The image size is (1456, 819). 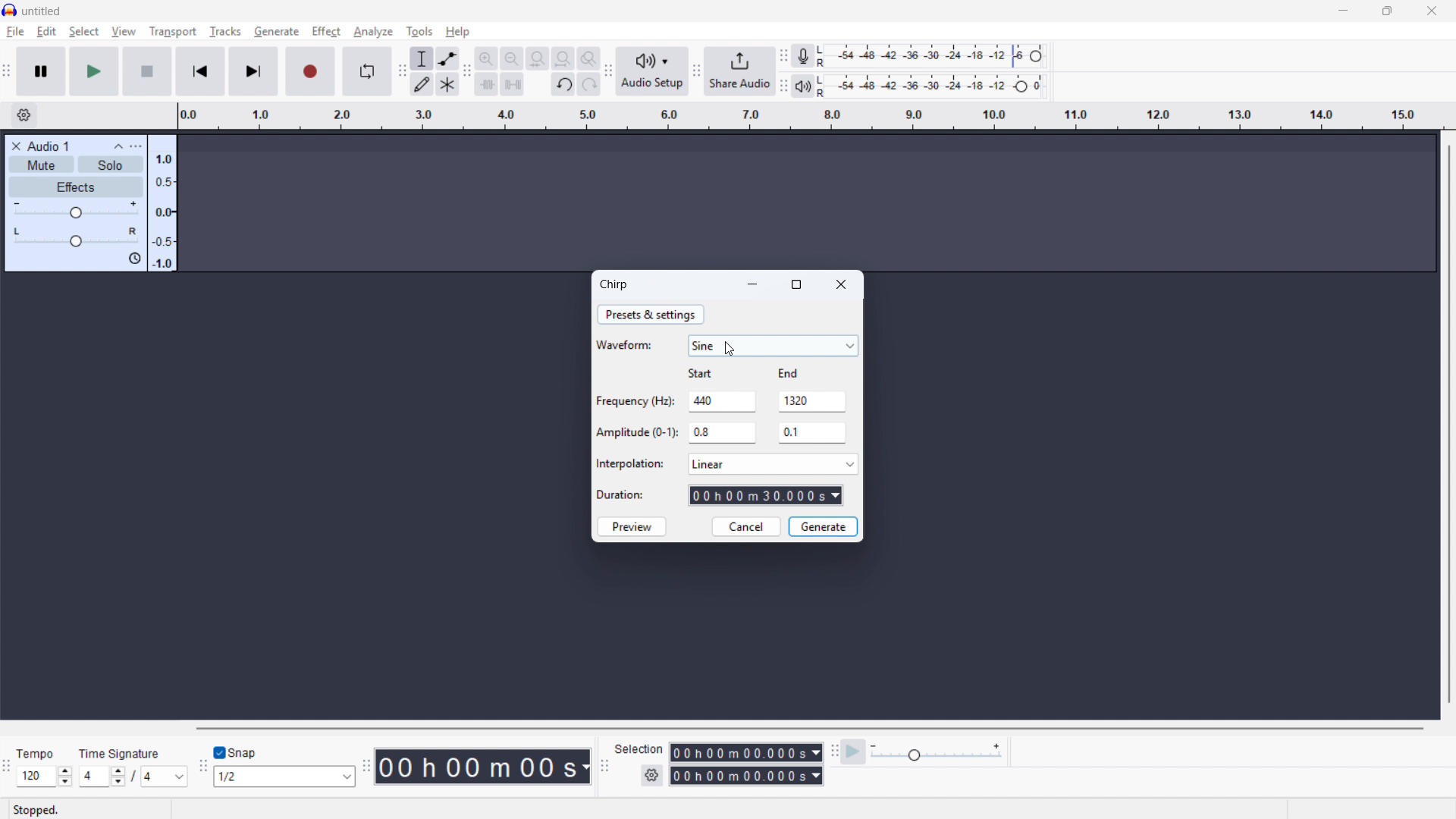 What do you see at coordinates (200, 71) in the screenshot?
I see `Skip to start ` at bounding box center [200, 71].